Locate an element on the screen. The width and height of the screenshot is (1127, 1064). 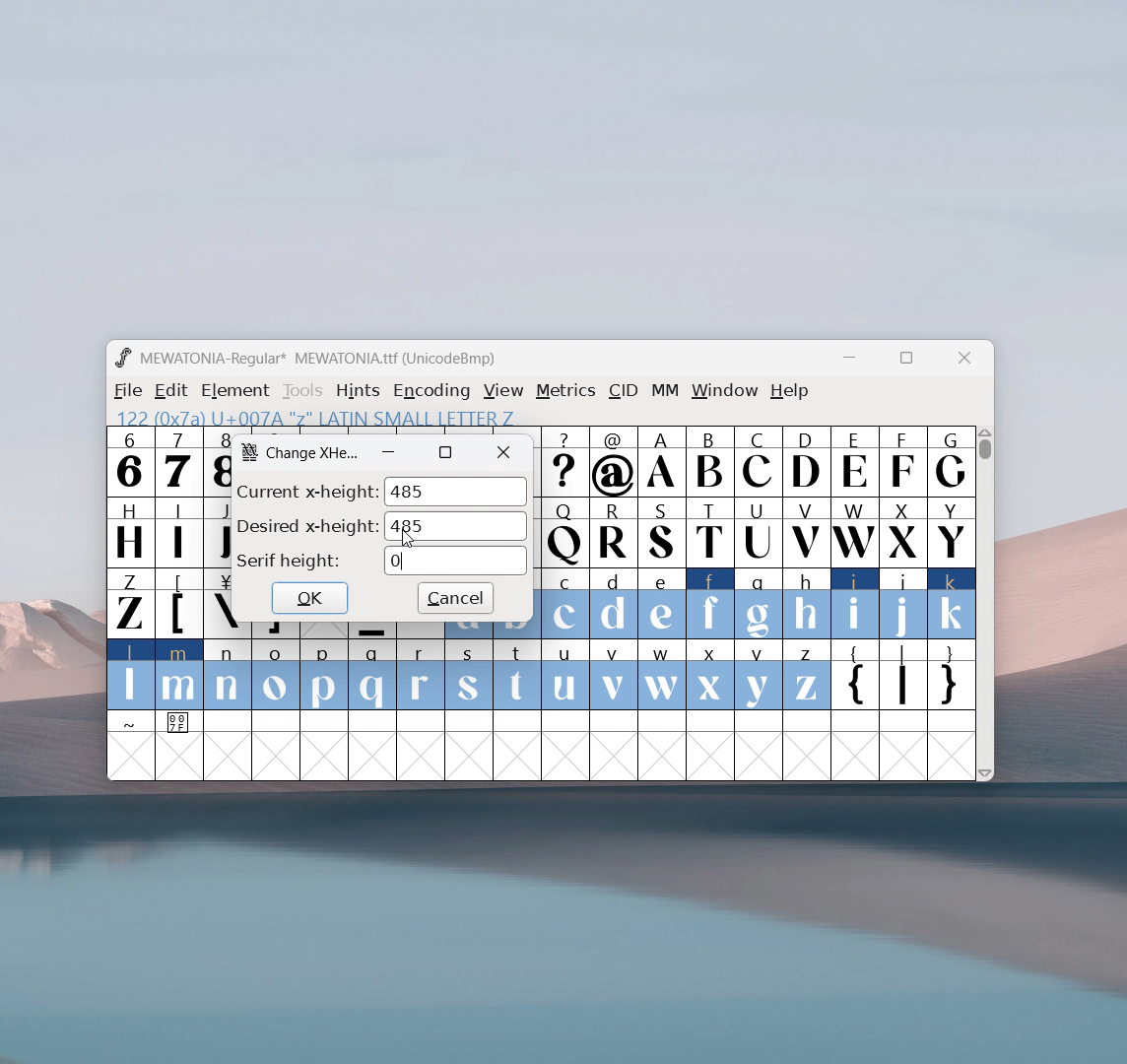
change x-height dialoguebox is located at coordinates (314, 454).